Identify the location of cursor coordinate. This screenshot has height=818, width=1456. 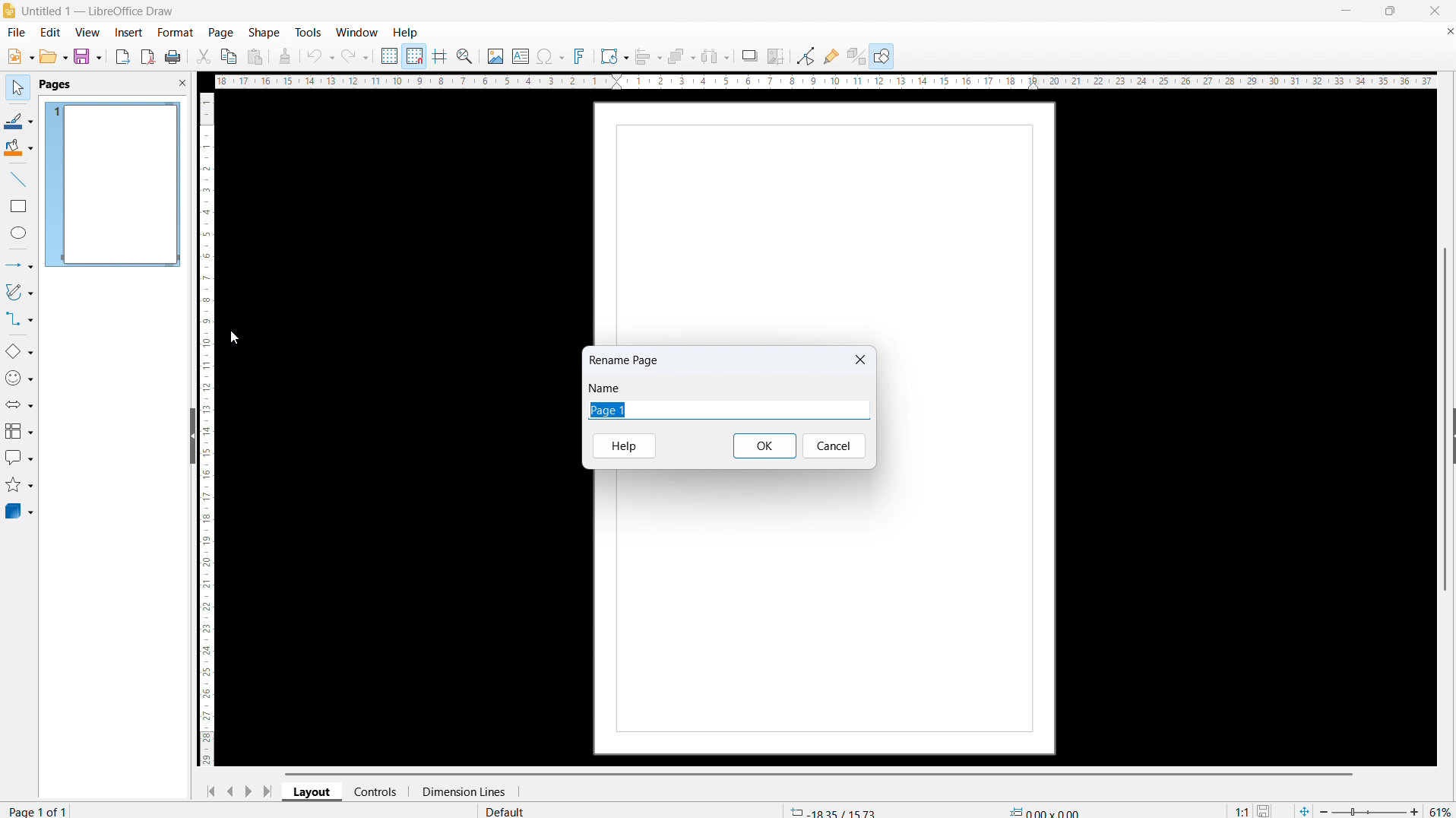
(833, 810).